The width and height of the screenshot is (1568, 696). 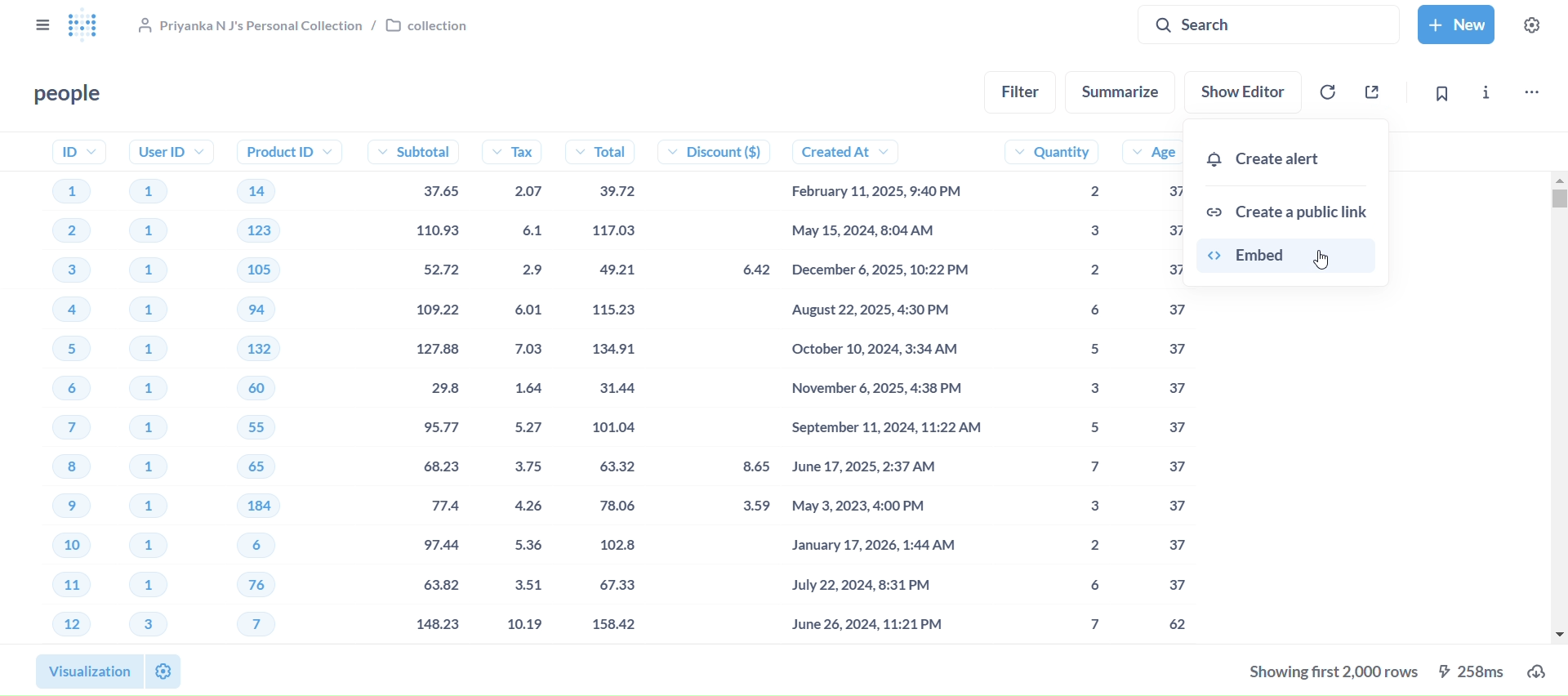 What do you see at coordinates (1054, 389) in the screenshot?
I see `quantity` at bounding box center [1054, 389].